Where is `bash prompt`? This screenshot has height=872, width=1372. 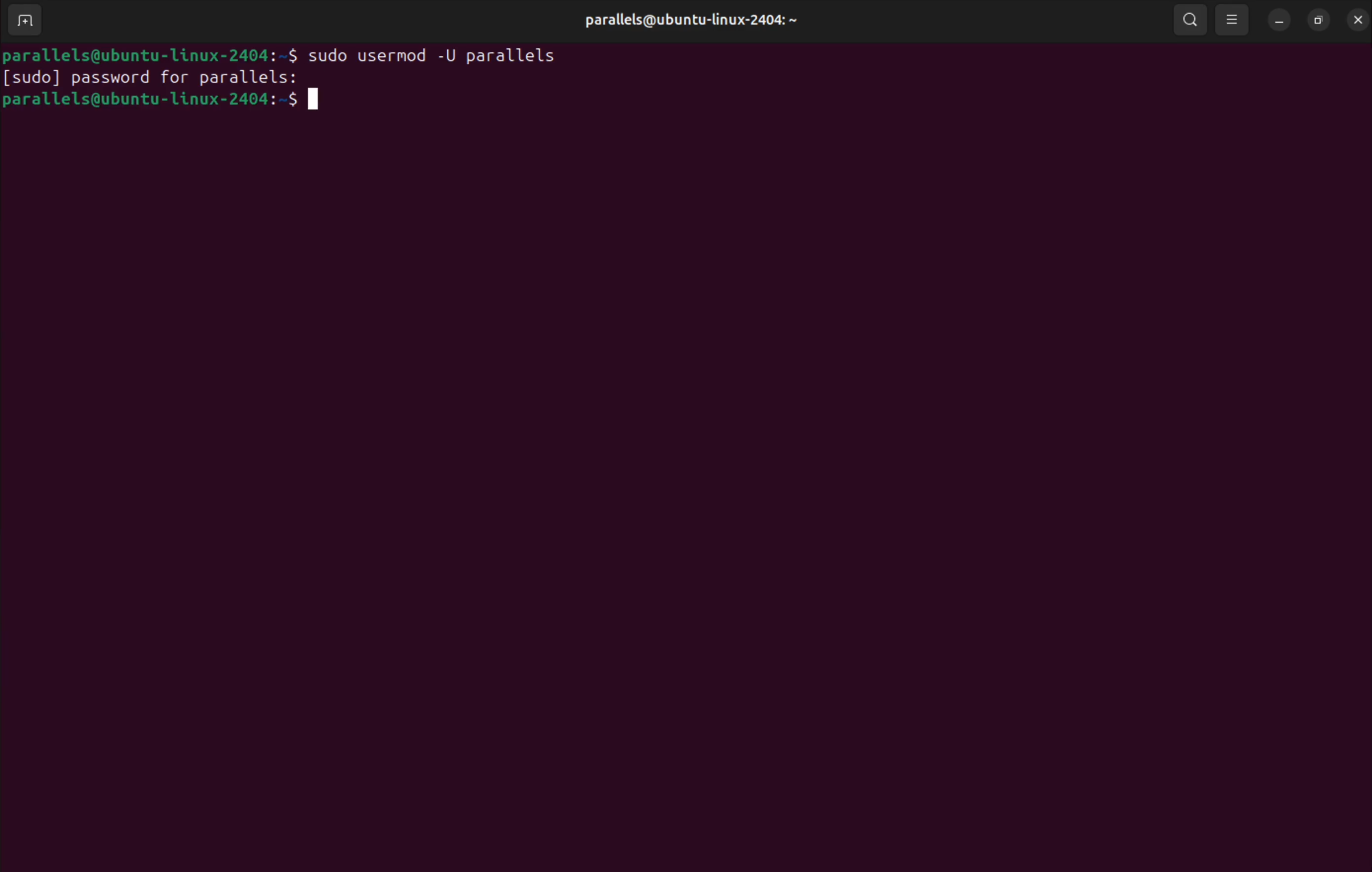 bash prompt is located at coordinates (177, 107).